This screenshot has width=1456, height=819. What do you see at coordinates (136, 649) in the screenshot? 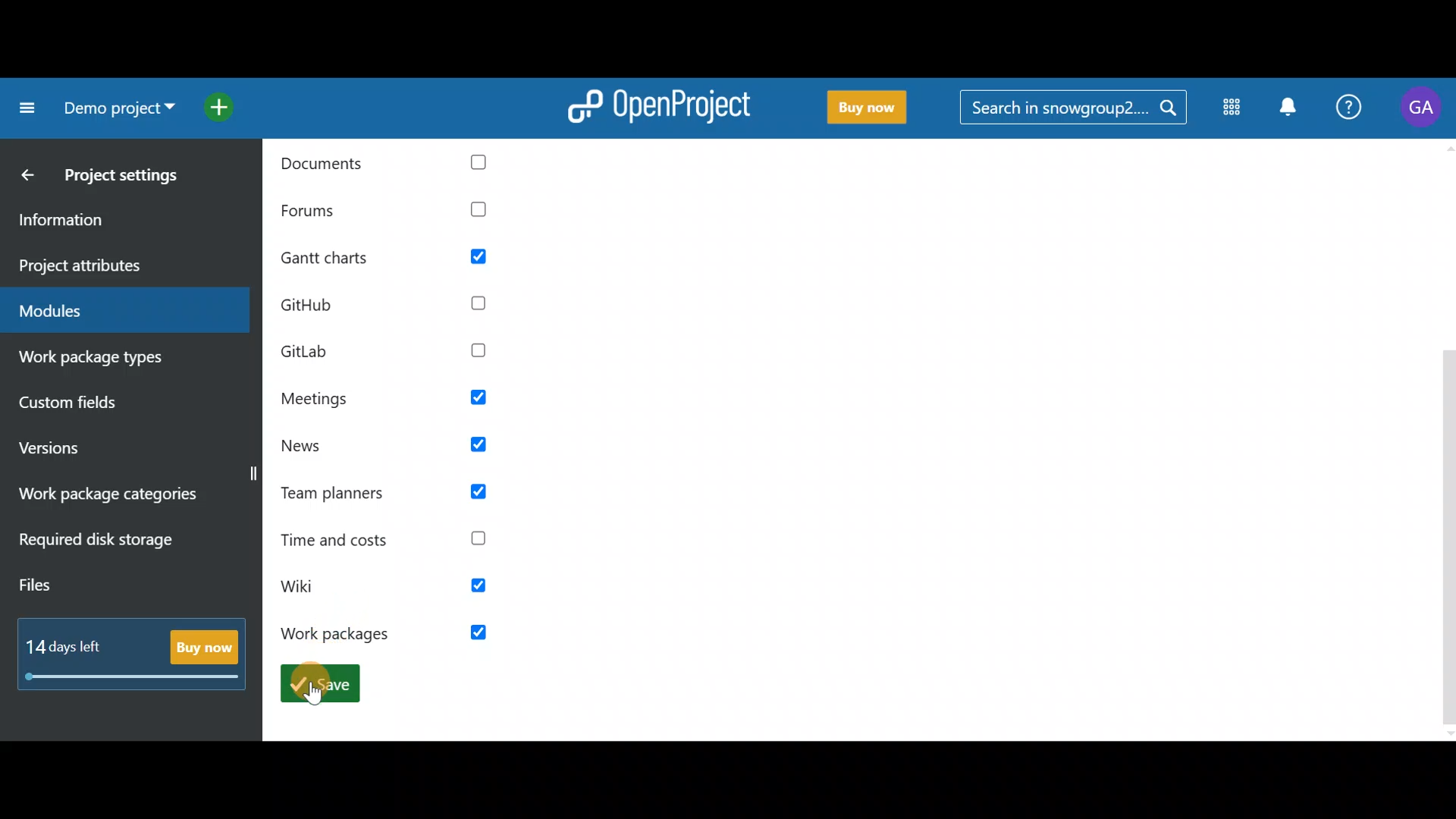
I see `Buy now` at bounding box center [136, 649].